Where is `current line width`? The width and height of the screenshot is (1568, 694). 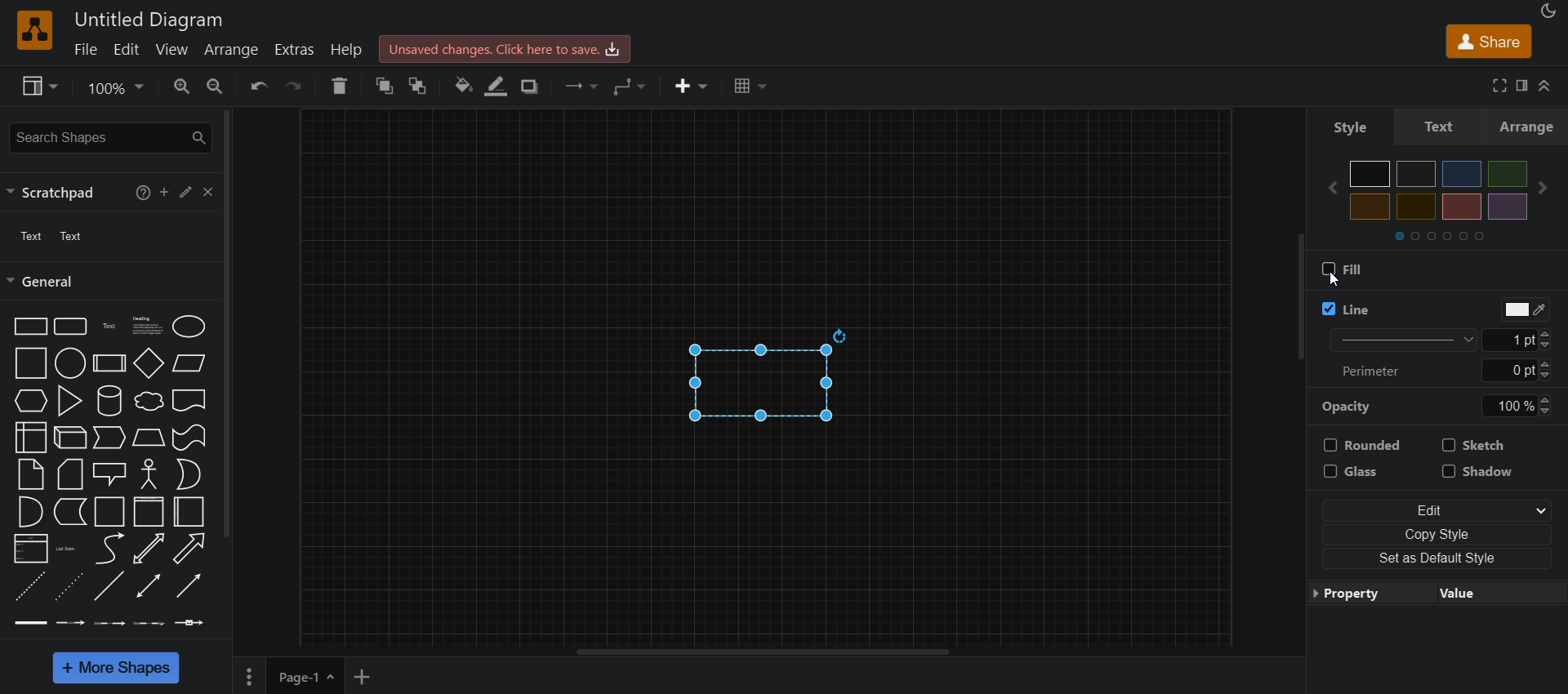 current line width is located at coordinates (1514, 340).